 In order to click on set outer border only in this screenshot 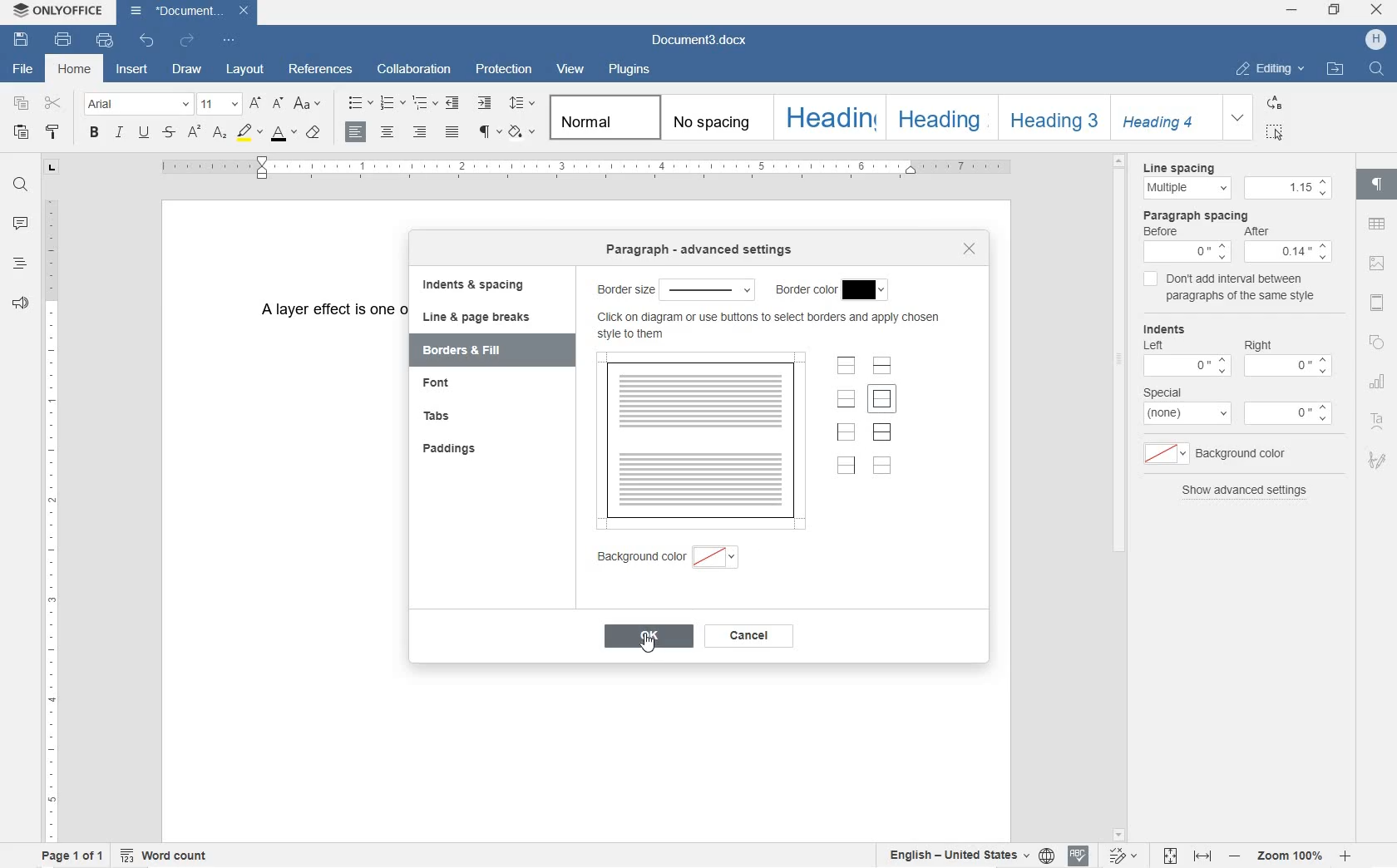, I will do `click(883, 400)`.